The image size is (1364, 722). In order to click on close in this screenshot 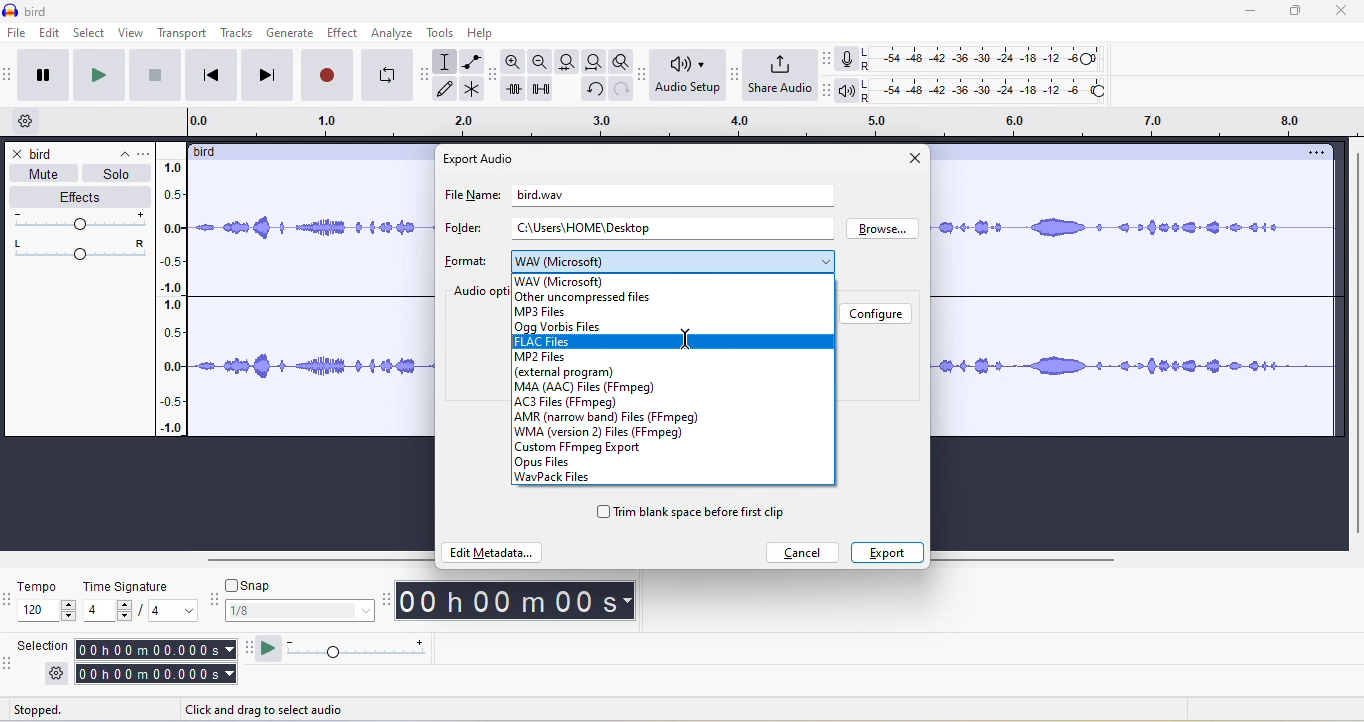, I will do `click(18, 155)`.